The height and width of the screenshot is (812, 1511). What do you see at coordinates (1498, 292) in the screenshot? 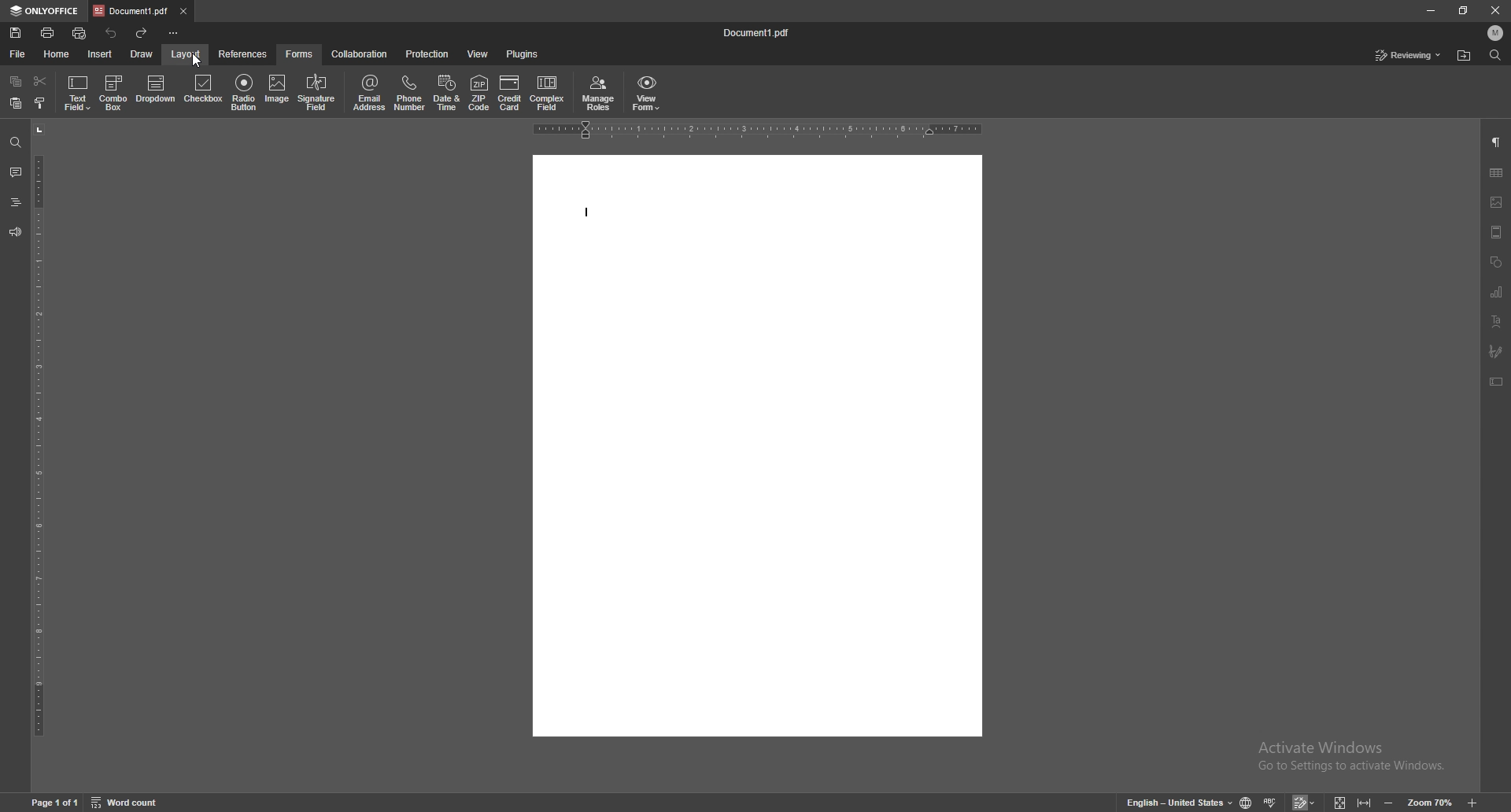
I see `chart` at bounding box center [1498, 292].